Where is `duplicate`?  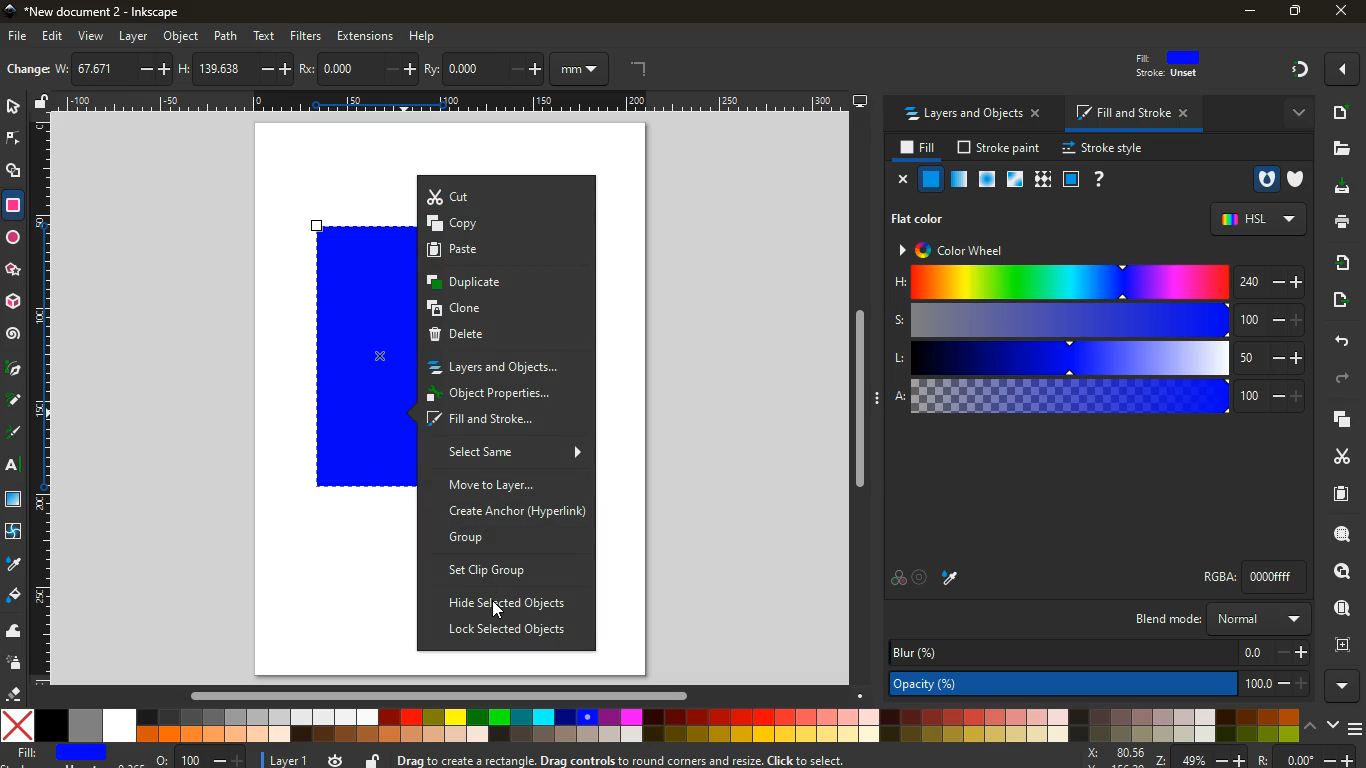 duplicate is located at coordinates (505, 283).